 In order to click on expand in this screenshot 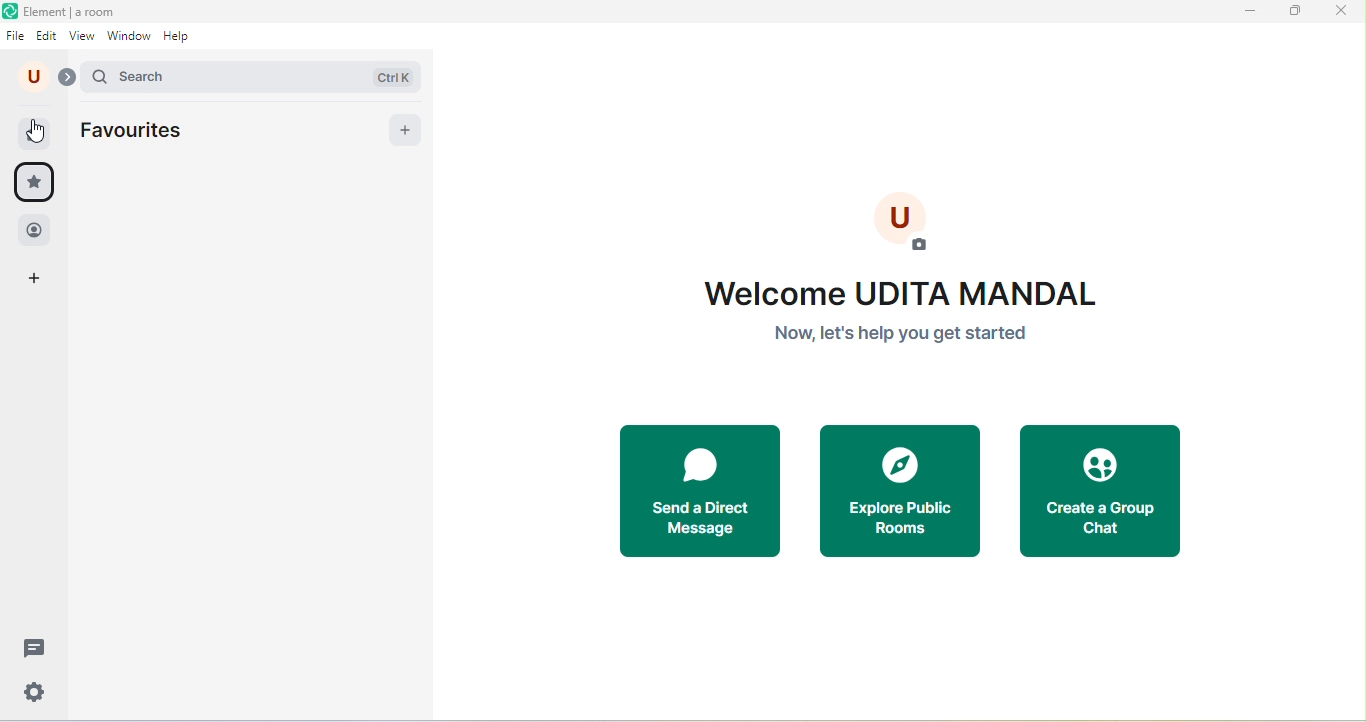, I will do `click(70, 78)`.